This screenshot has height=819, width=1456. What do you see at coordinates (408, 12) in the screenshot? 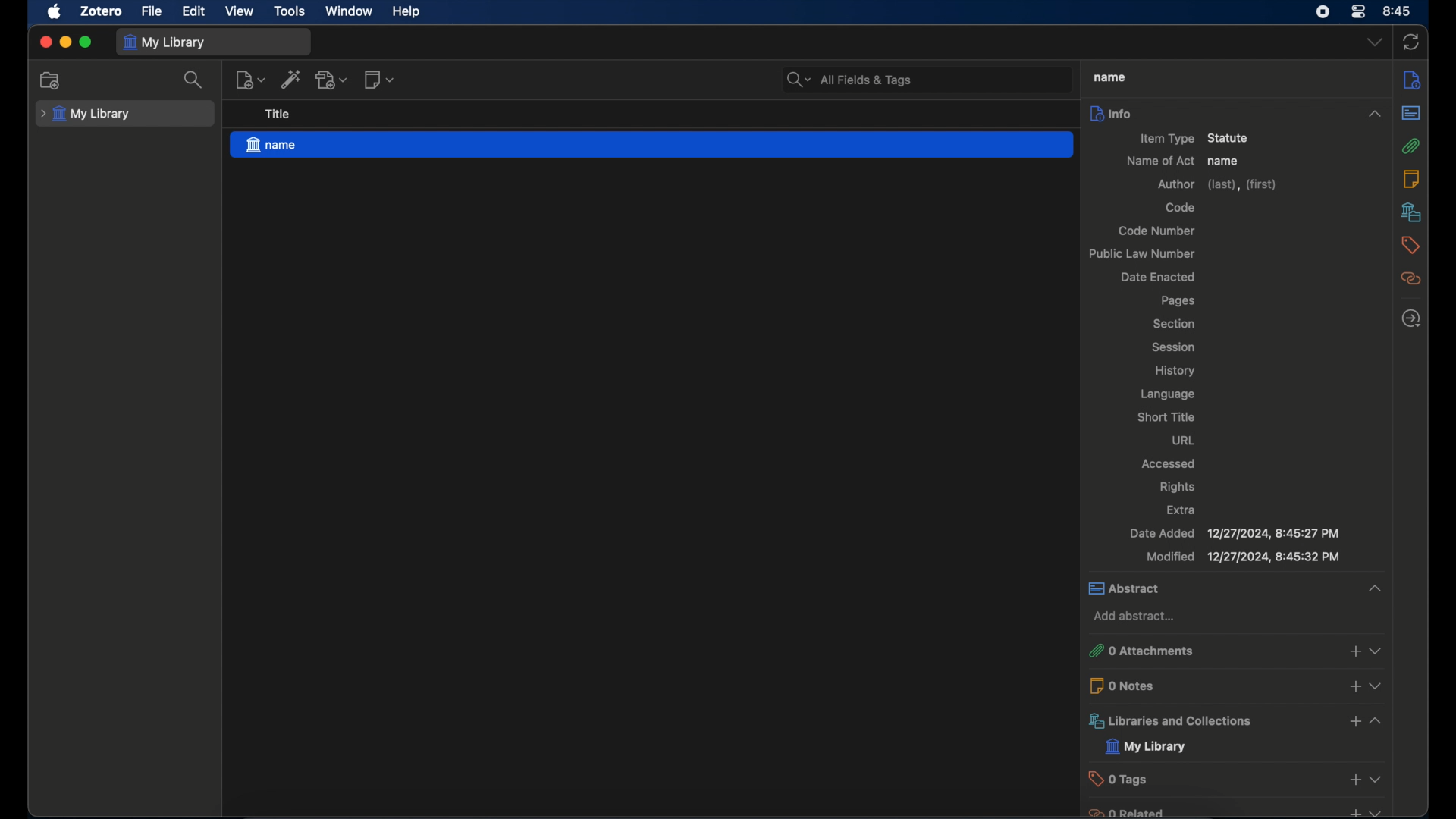
I see `help` at bounding box center [408, 12].